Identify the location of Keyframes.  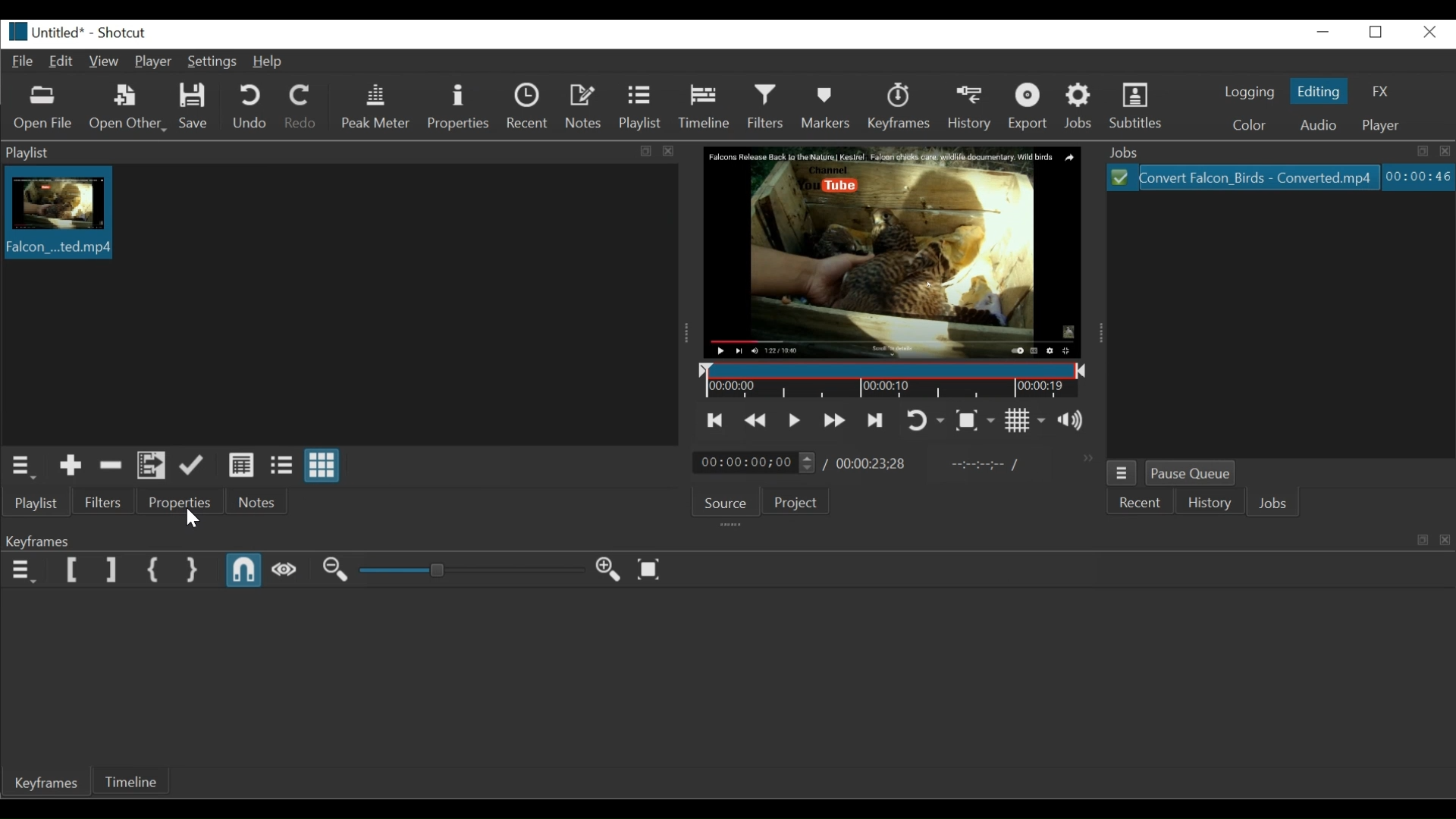
(902, 108).